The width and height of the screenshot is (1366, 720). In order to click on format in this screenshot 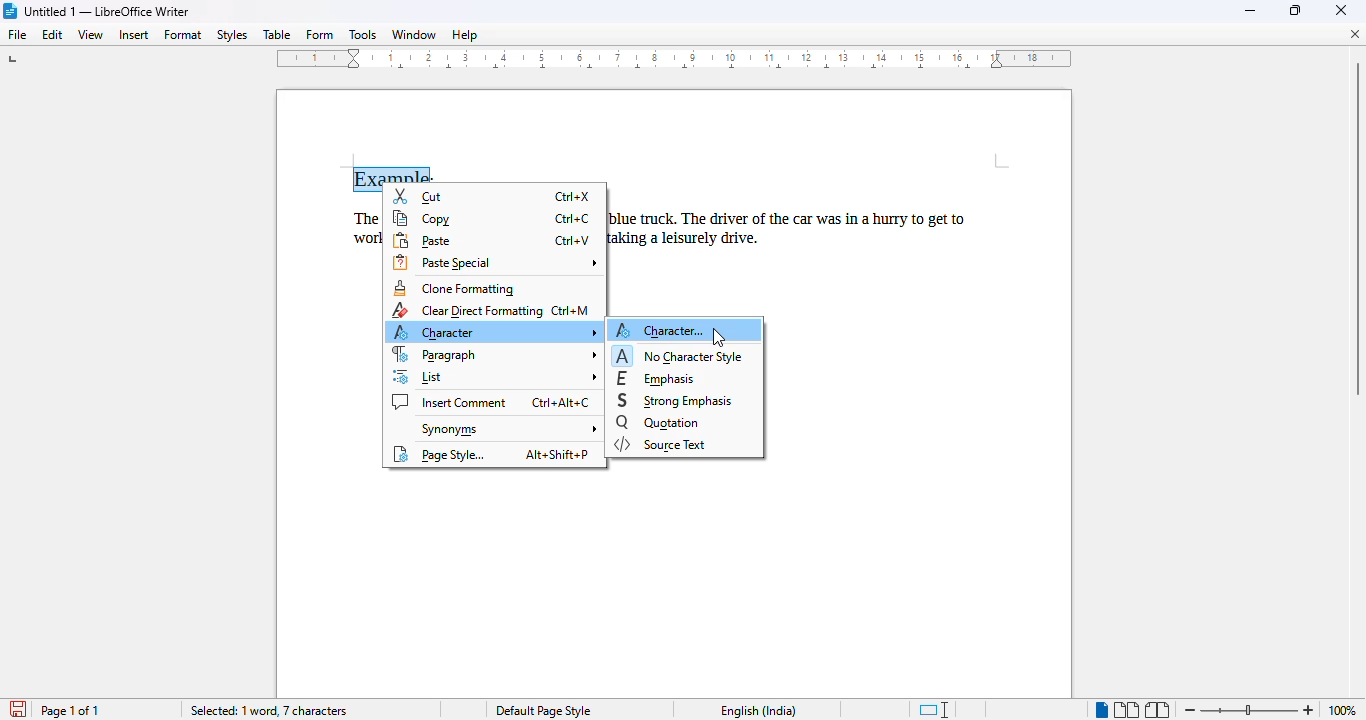, I will do `click(184, 34)`.